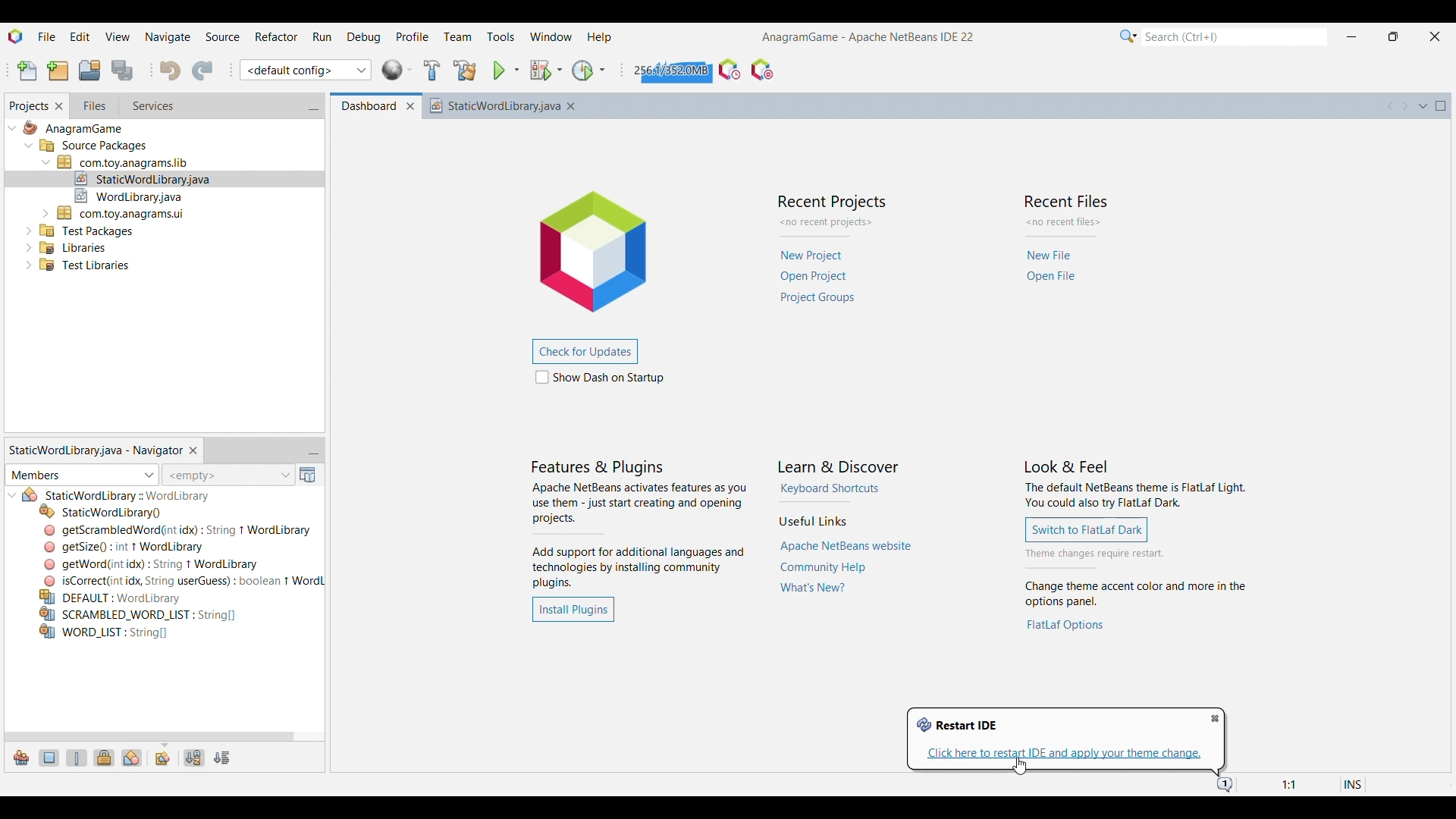  What do you see at coordinates (1053, 267) in the screenshot?
I see `Recent files` at bounding box center [1053, 267].